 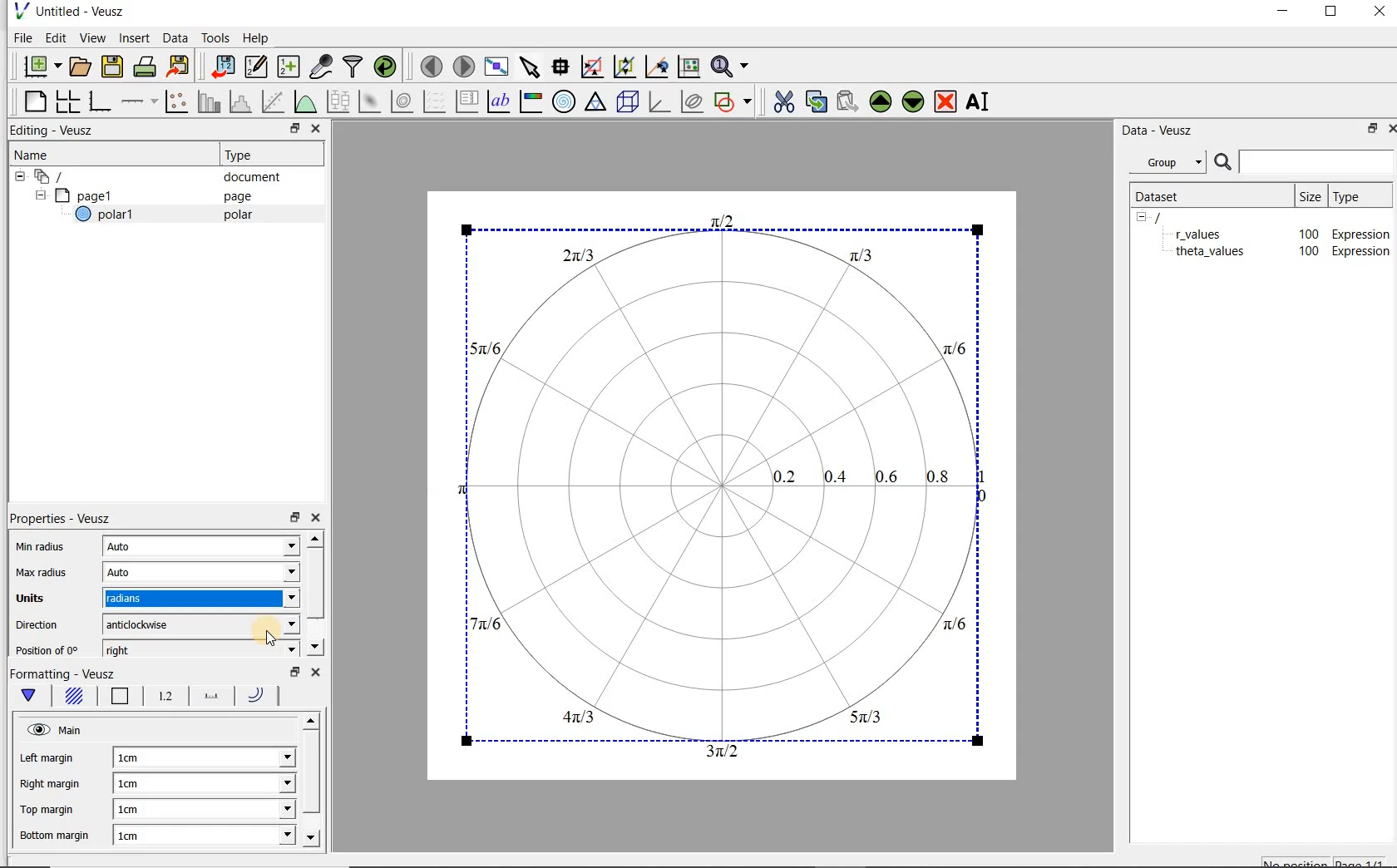 I want to click on import data into Veusz, so click(x=221, y=67).